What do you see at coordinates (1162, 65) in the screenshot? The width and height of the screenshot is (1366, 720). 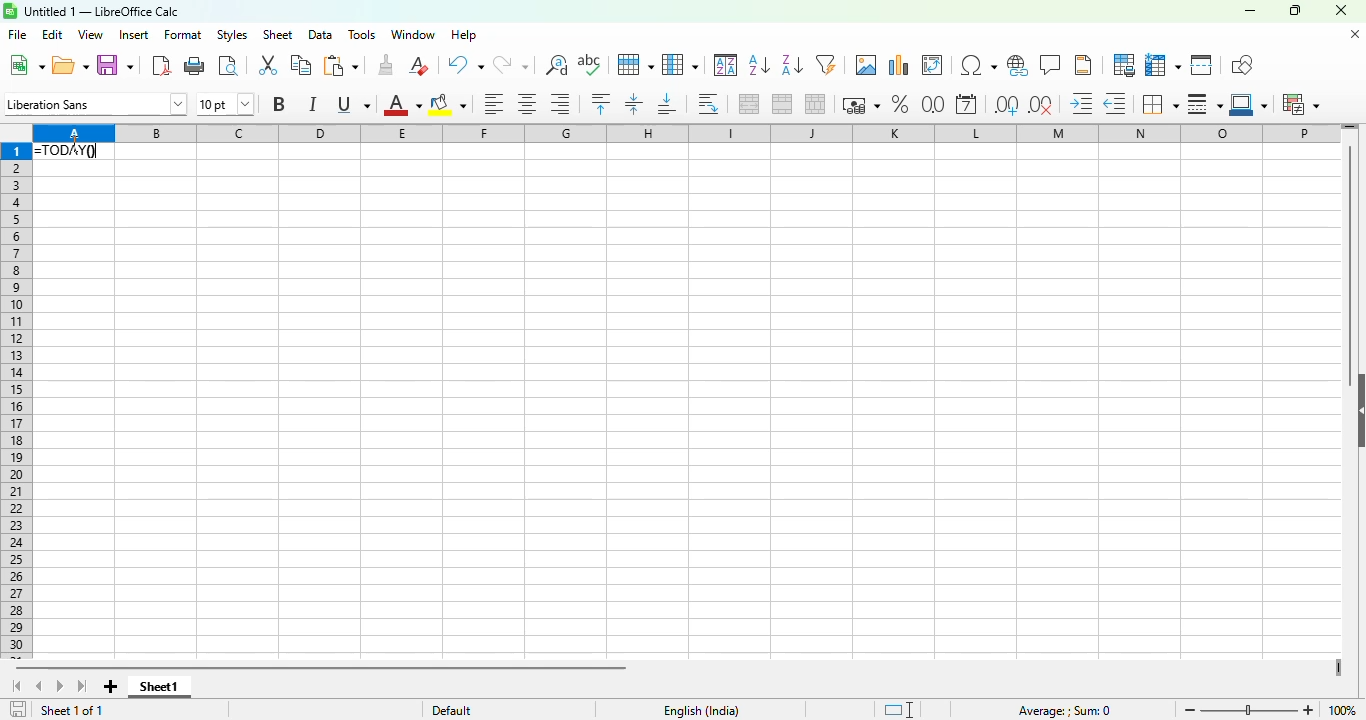 I see `freeze rows and columns` at bounding box center [1162, 65].